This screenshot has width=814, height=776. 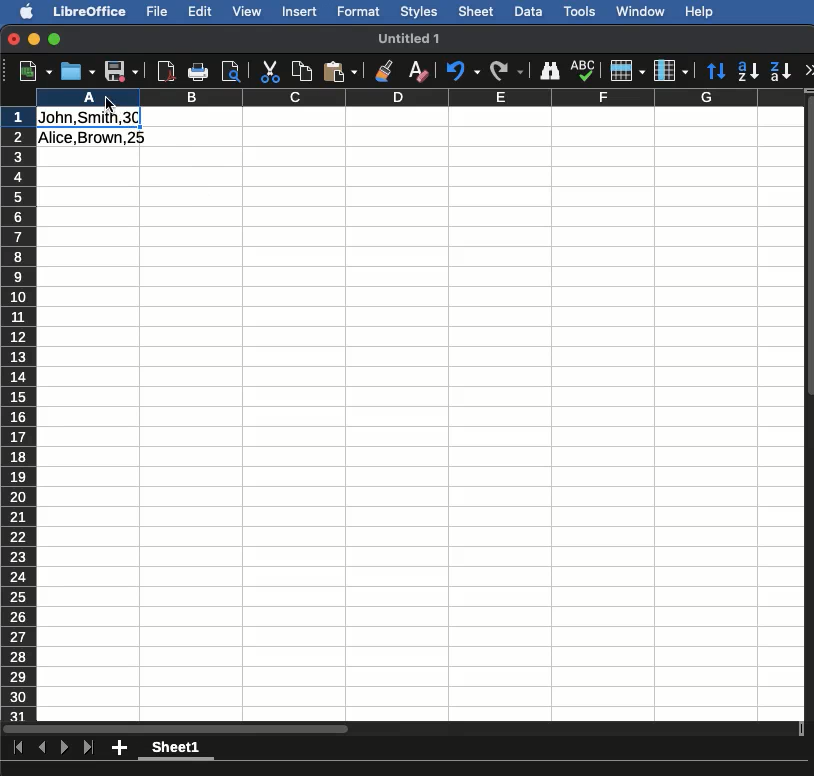 I want to click on cursor, so click(x=109, y=107).